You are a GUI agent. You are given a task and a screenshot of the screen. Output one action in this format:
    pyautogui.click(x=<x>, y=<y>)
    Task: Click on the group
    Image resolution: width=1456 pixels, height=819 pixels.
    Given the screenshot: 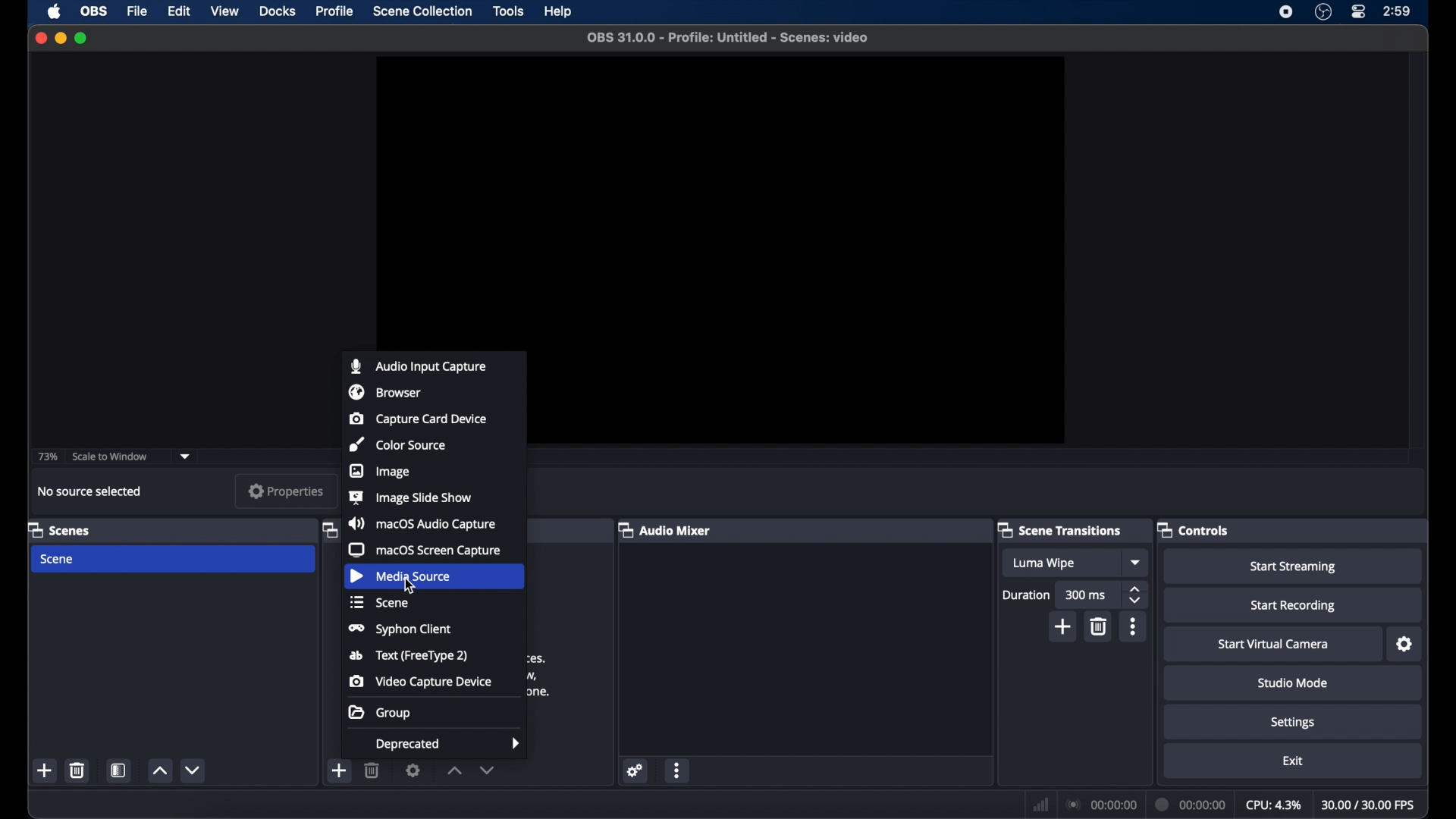 What is the action you would take?
    pyautogui.click(x=379, y=714)
    